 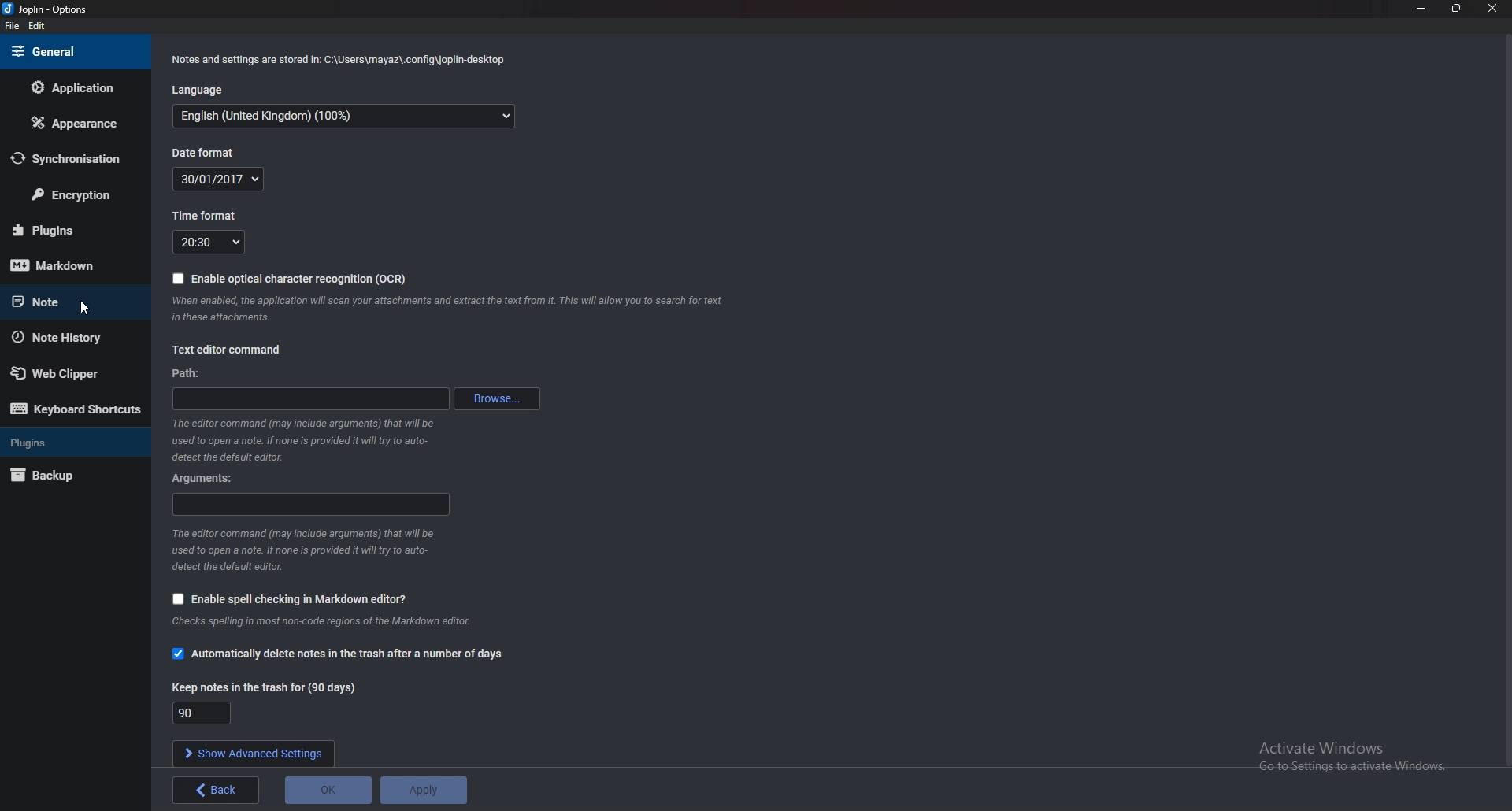 What do you see at coordinates (328, 622) in the screenshot?
I see `checks spelling in most non-code regions of the markdown editor` at bounding box center [328, 622].